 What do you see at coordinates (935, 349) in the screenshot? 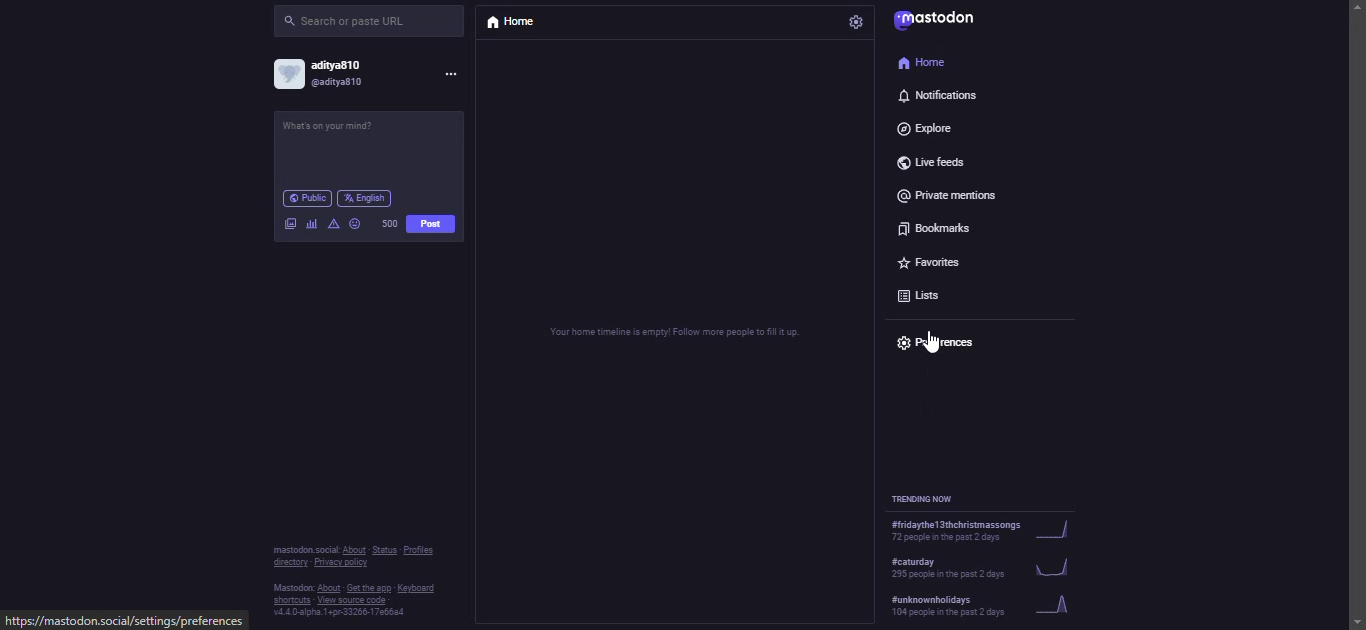
I see `cursor` at bounding box center [935, 349].